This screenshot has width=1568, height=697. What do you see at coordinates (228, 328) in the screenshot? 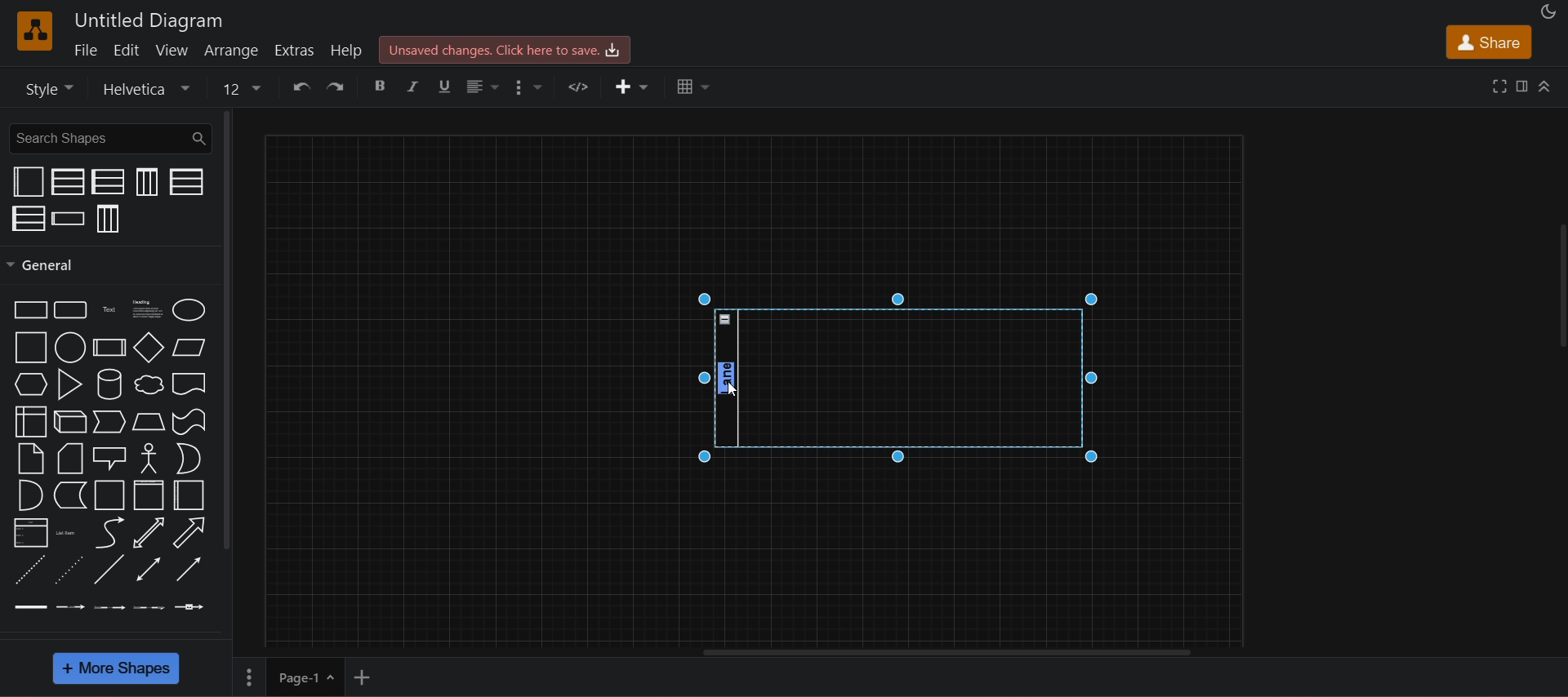
I see `general` at bounding box center [228, 328].